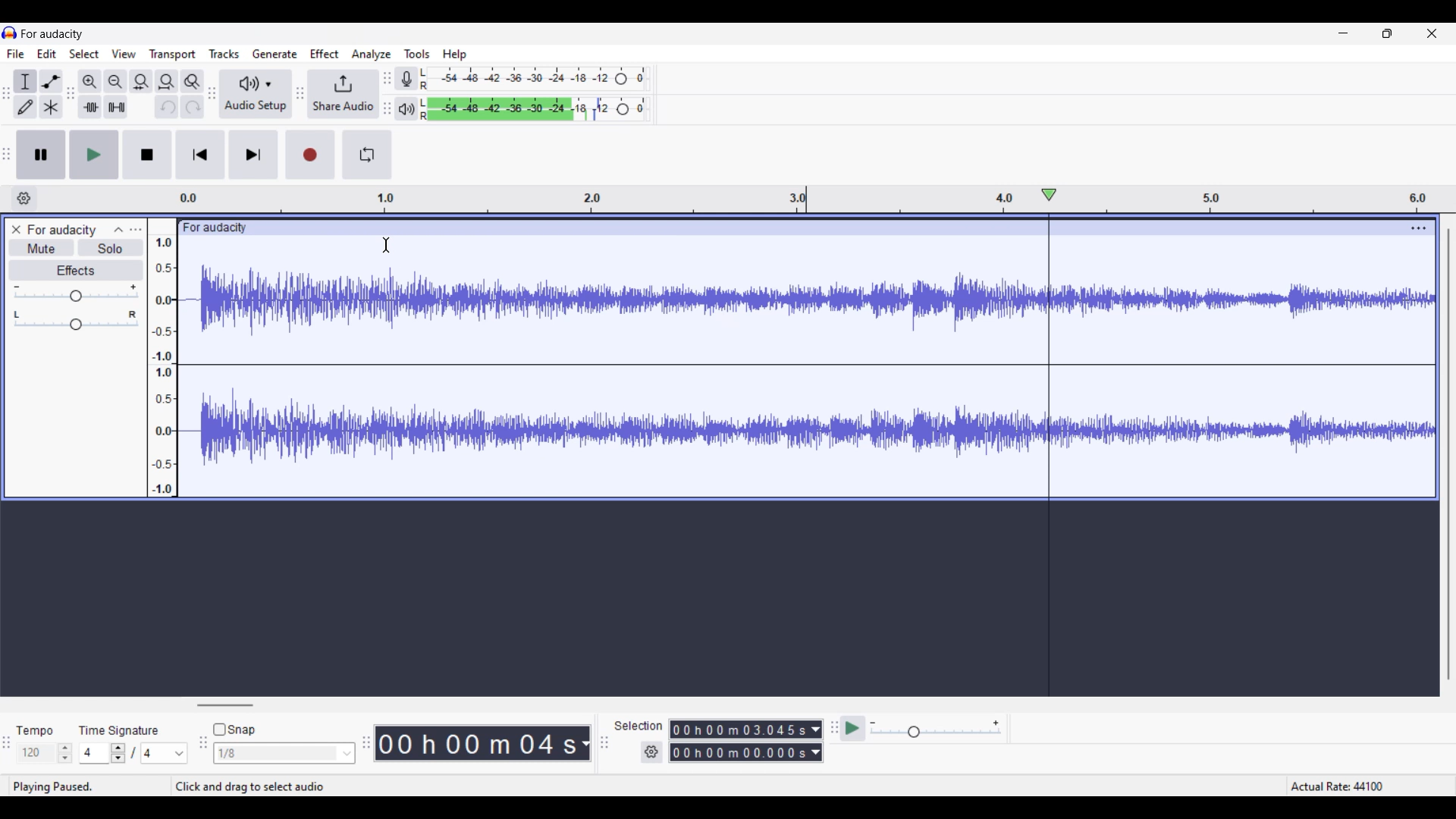 This screenshot has width=1456, height=819. Describe the element at coordinates (24, 199) in the screenshot. I see `Timeline options` at that location.